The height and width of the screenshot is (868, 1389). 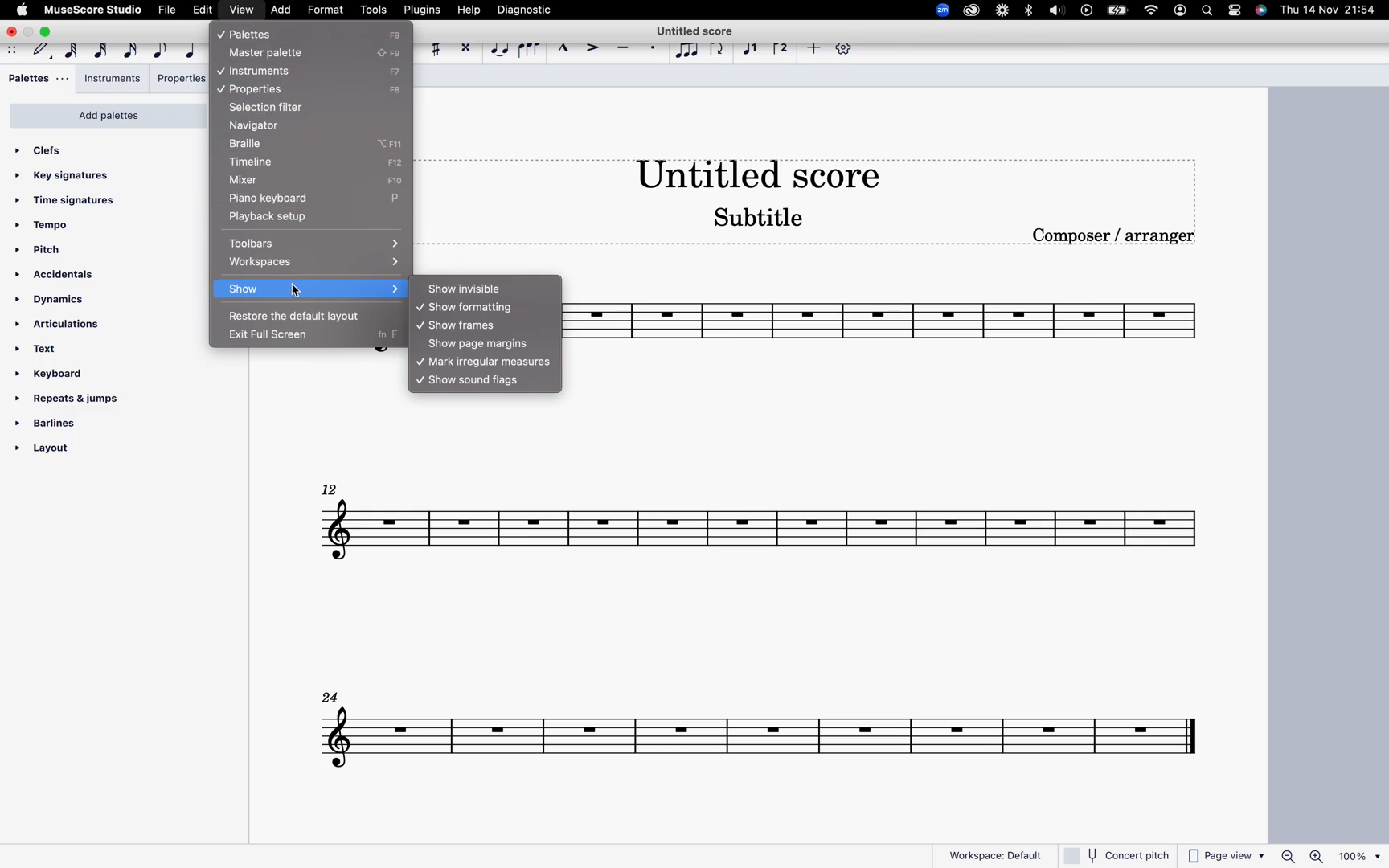 I want to click on pallets, so click(x=277, y=34).